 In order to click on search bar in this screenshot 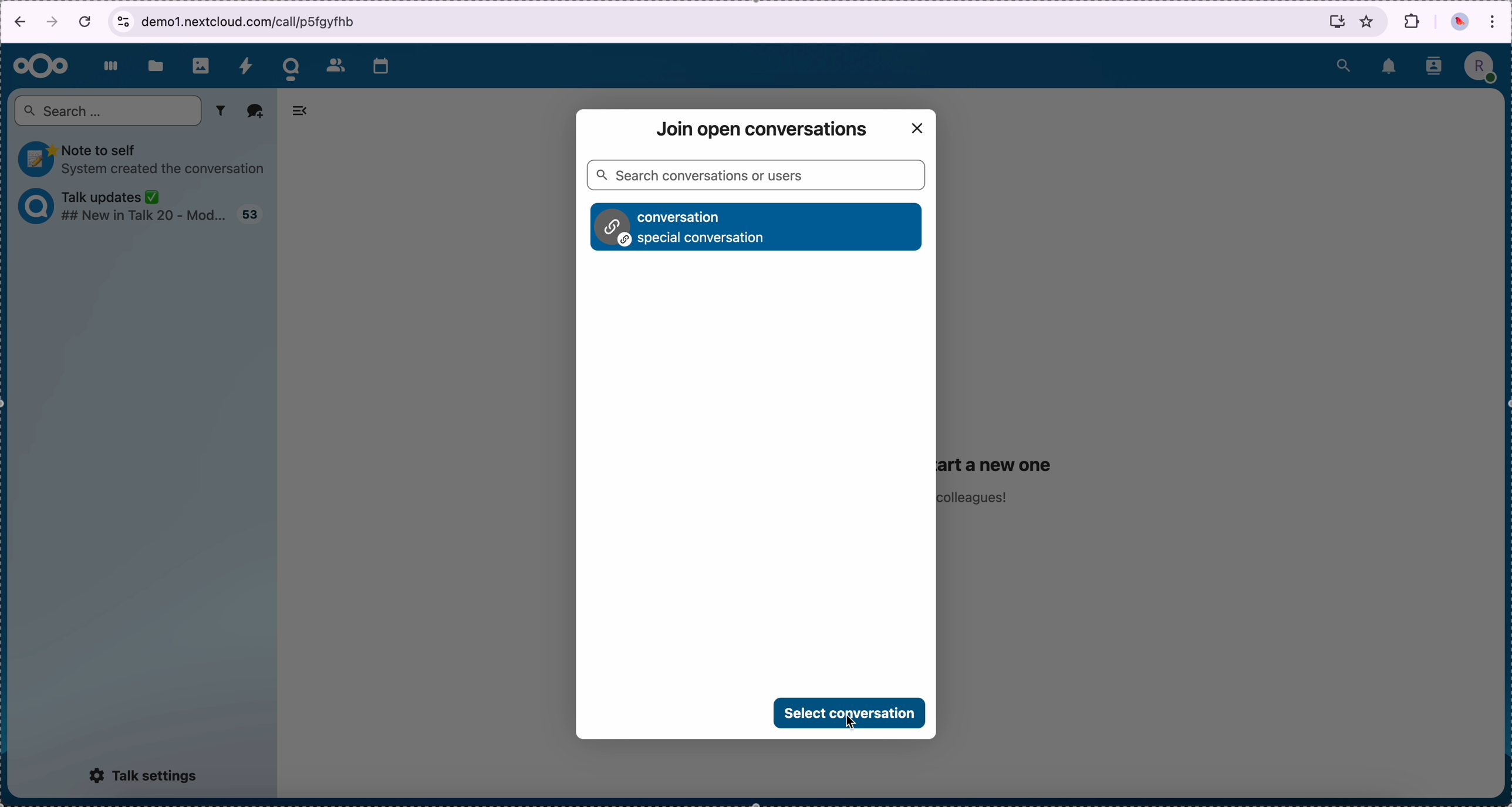, I will do `click(109, 112)`.